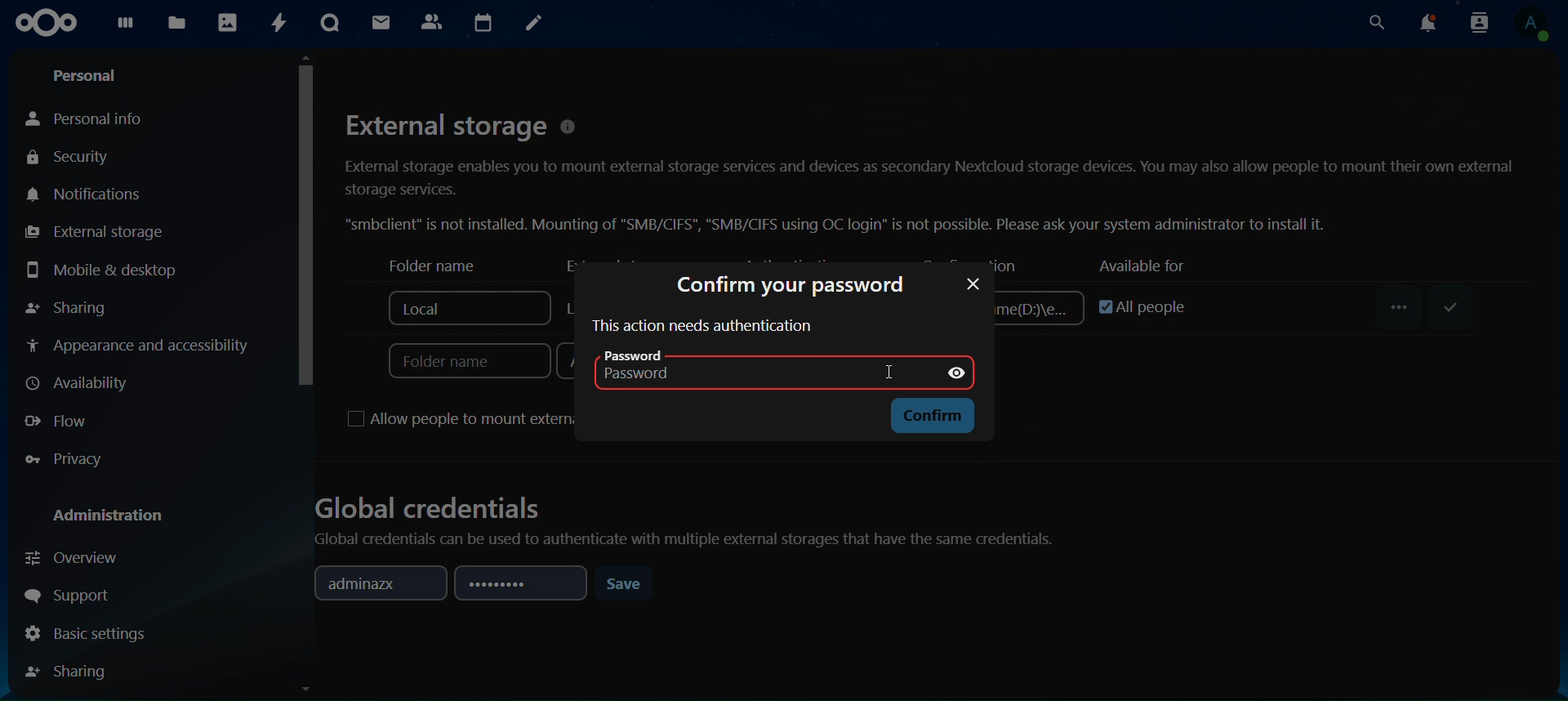 The height and width of the screenshot is (701, 1568). Describe the element at coordinates (423, 266) in the screenshot. I see `folder name` at that location.